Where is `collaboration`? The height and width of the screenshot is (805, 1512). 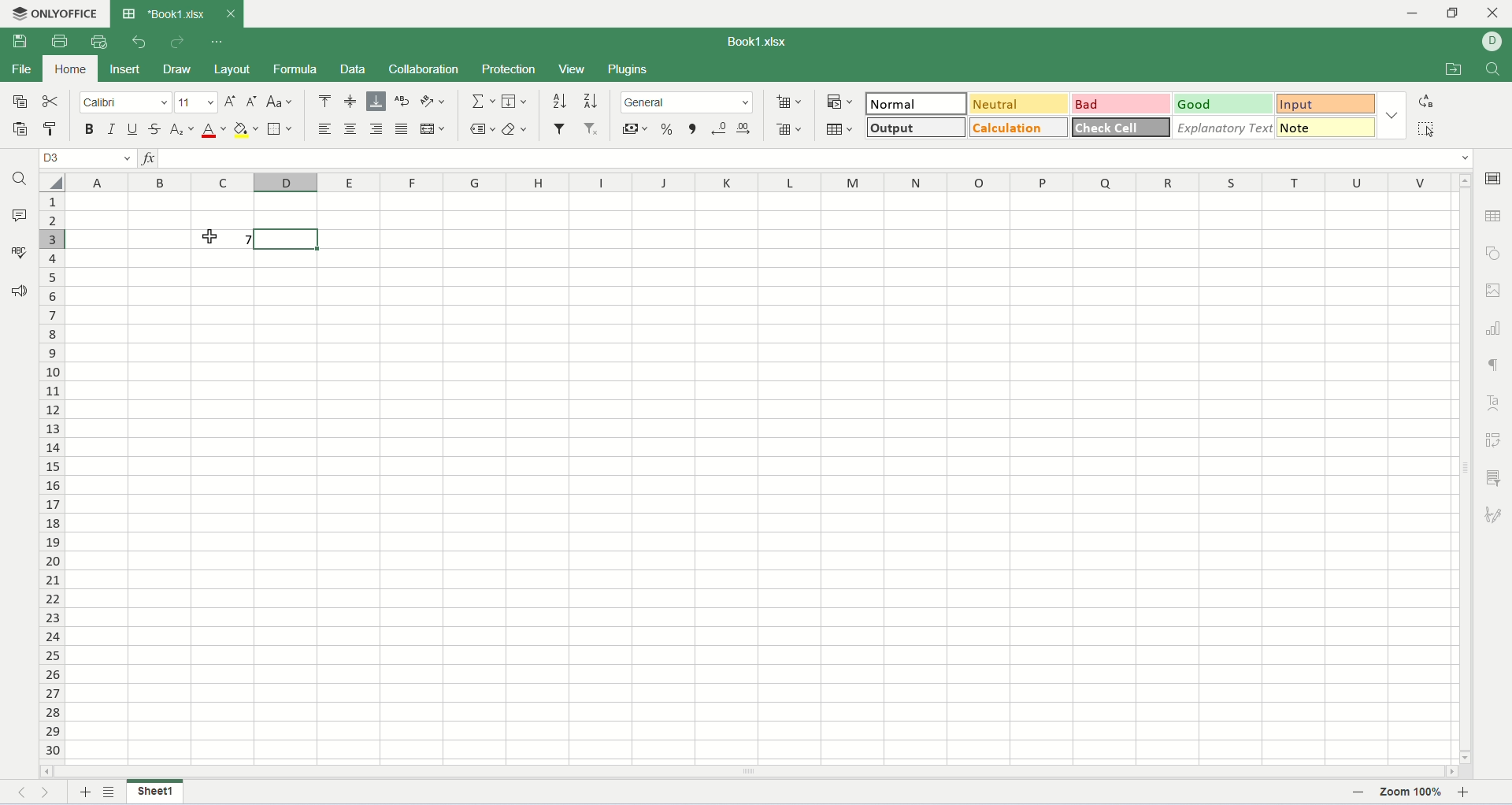
collaboration is located at coordinates (424, 69).